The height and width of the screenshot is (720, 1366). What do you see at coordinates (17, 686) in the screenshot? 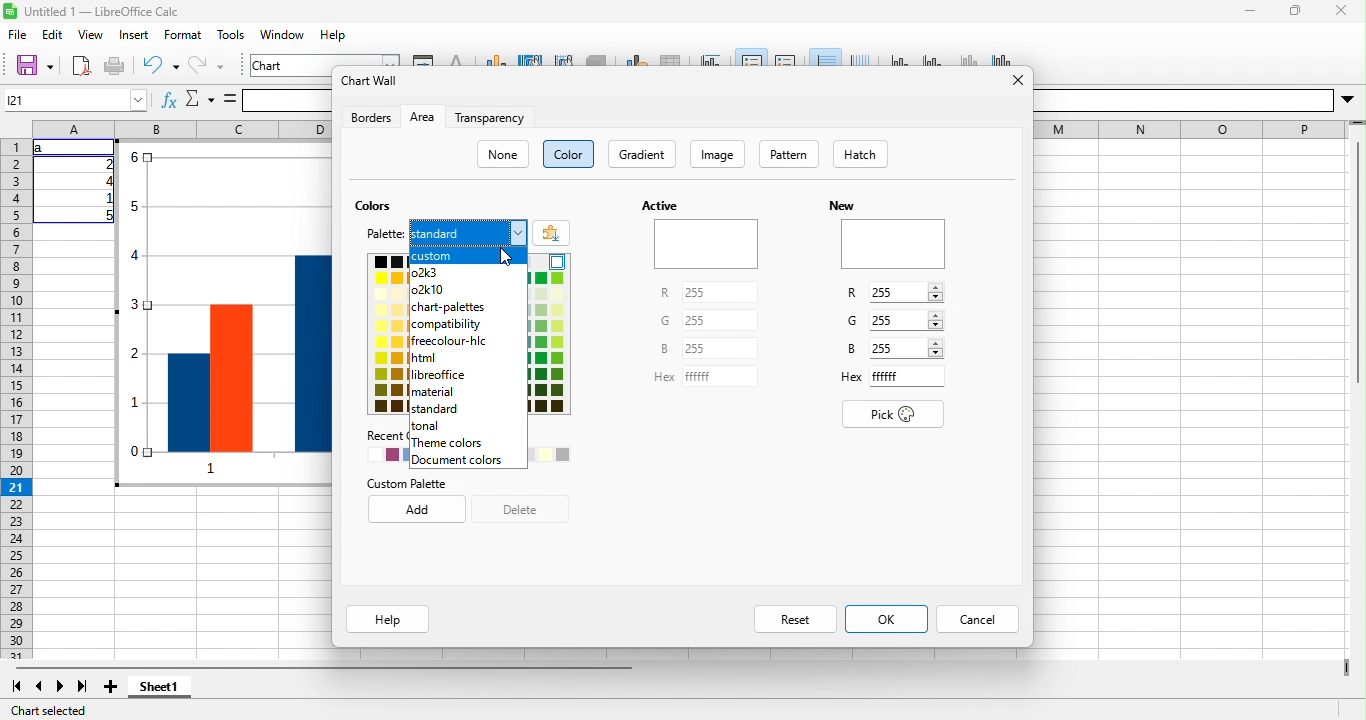
I see `first sheet` at bounding box center [17, 686].